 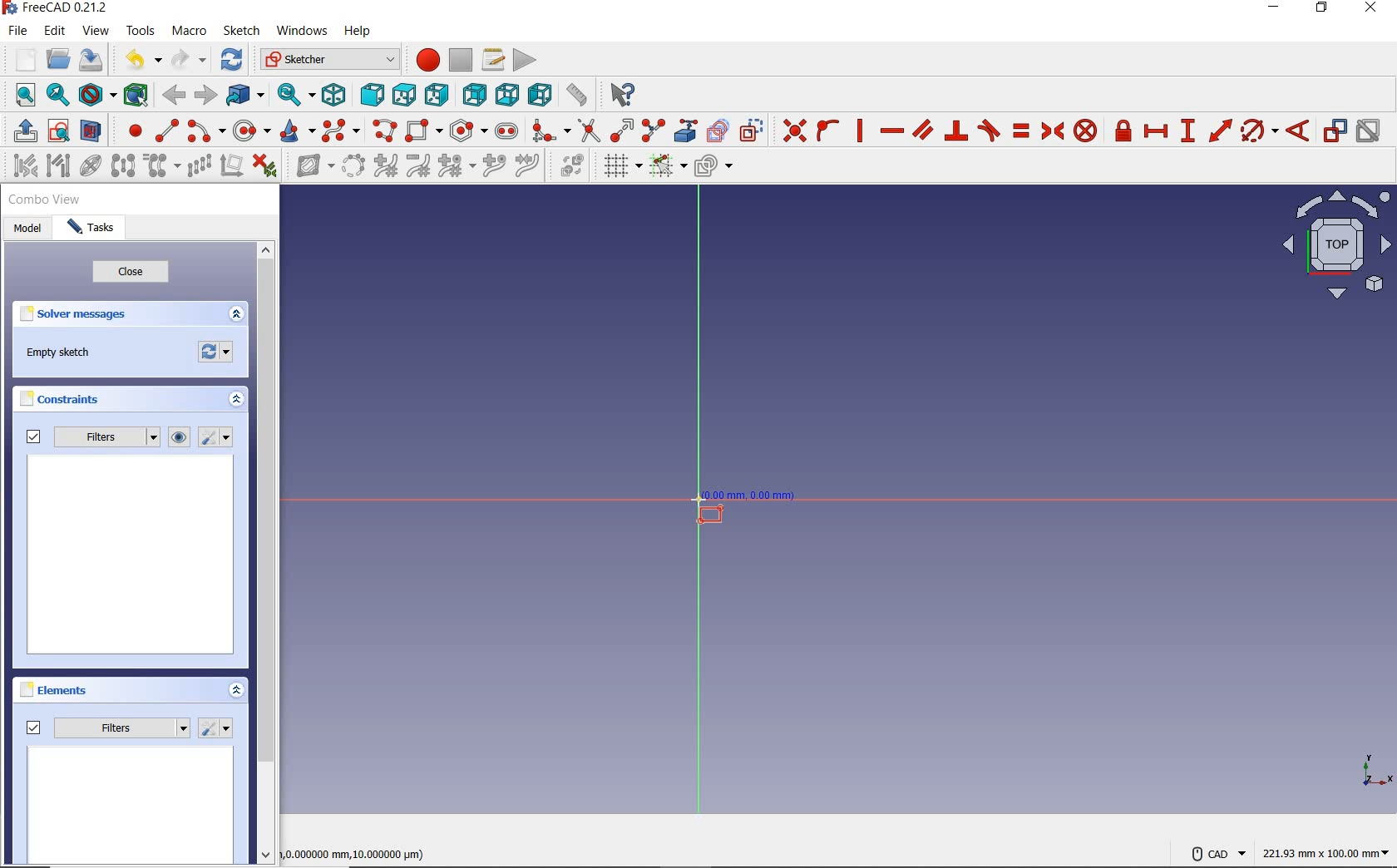 What do you see at coordinates (53, 9) in the screenshot?
I see `FreeCAD 0.21.2` at bounding box center [53, 9].